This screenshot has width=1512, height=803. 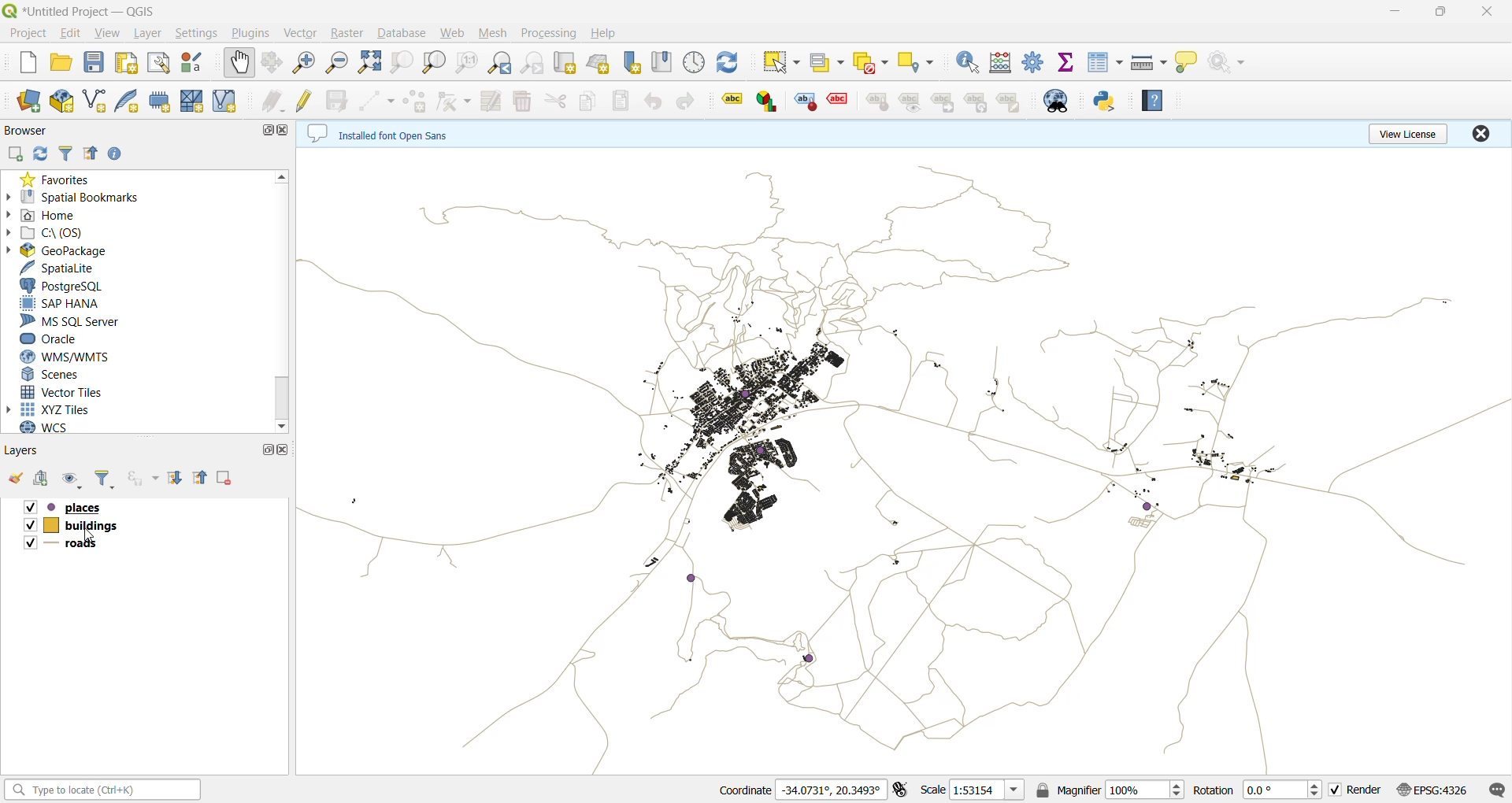 I want to click on redo, so click(x=681, y=101).